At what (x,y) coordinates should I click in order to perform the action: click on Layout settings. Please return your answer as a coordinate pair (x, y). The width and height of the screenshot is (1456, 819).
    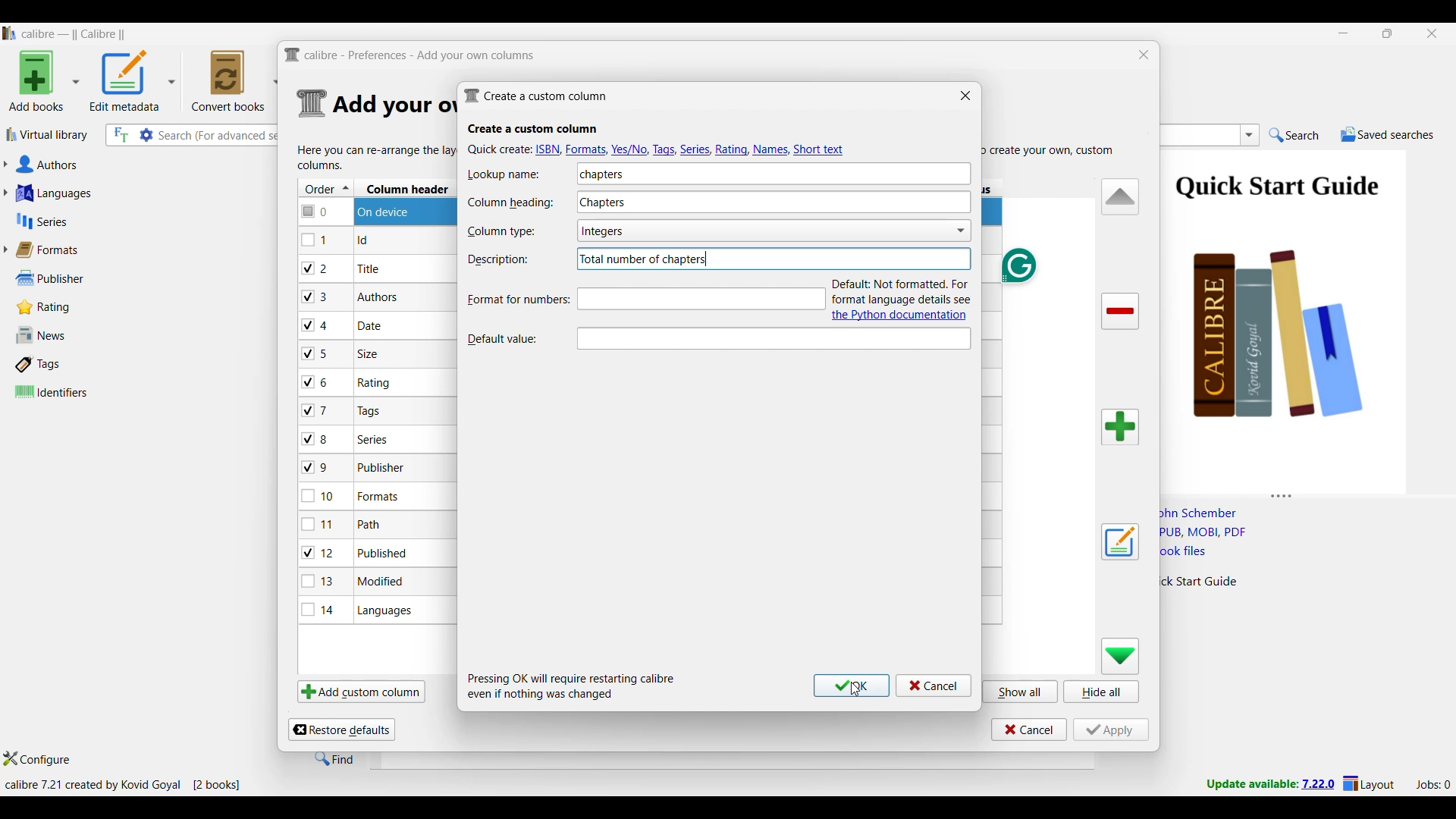
    Looking at the image, I should click on (1369, 783).